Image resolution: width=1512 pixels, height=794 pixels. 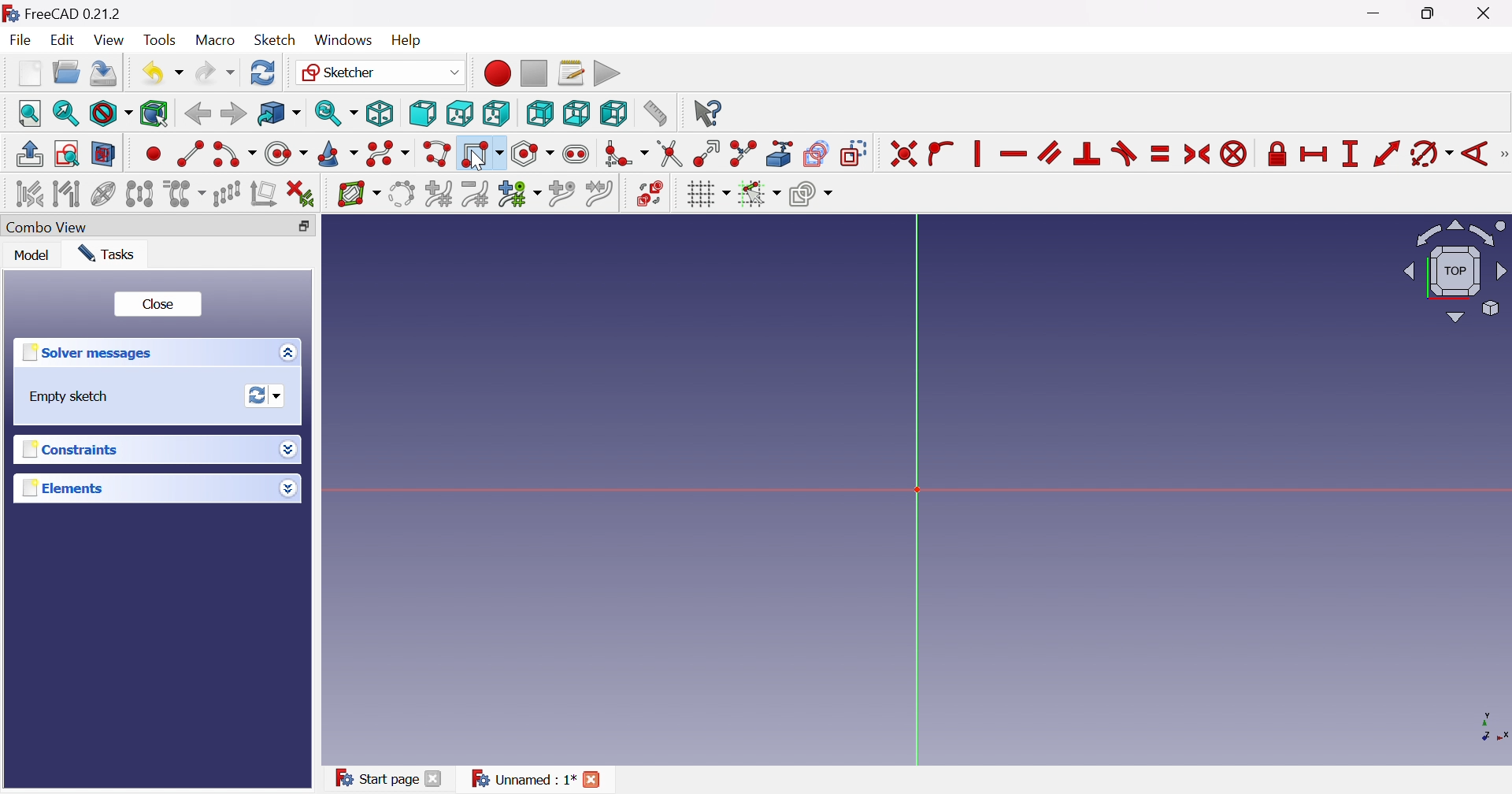 I want to click on Empty sketch, so click(x=65, y=397).